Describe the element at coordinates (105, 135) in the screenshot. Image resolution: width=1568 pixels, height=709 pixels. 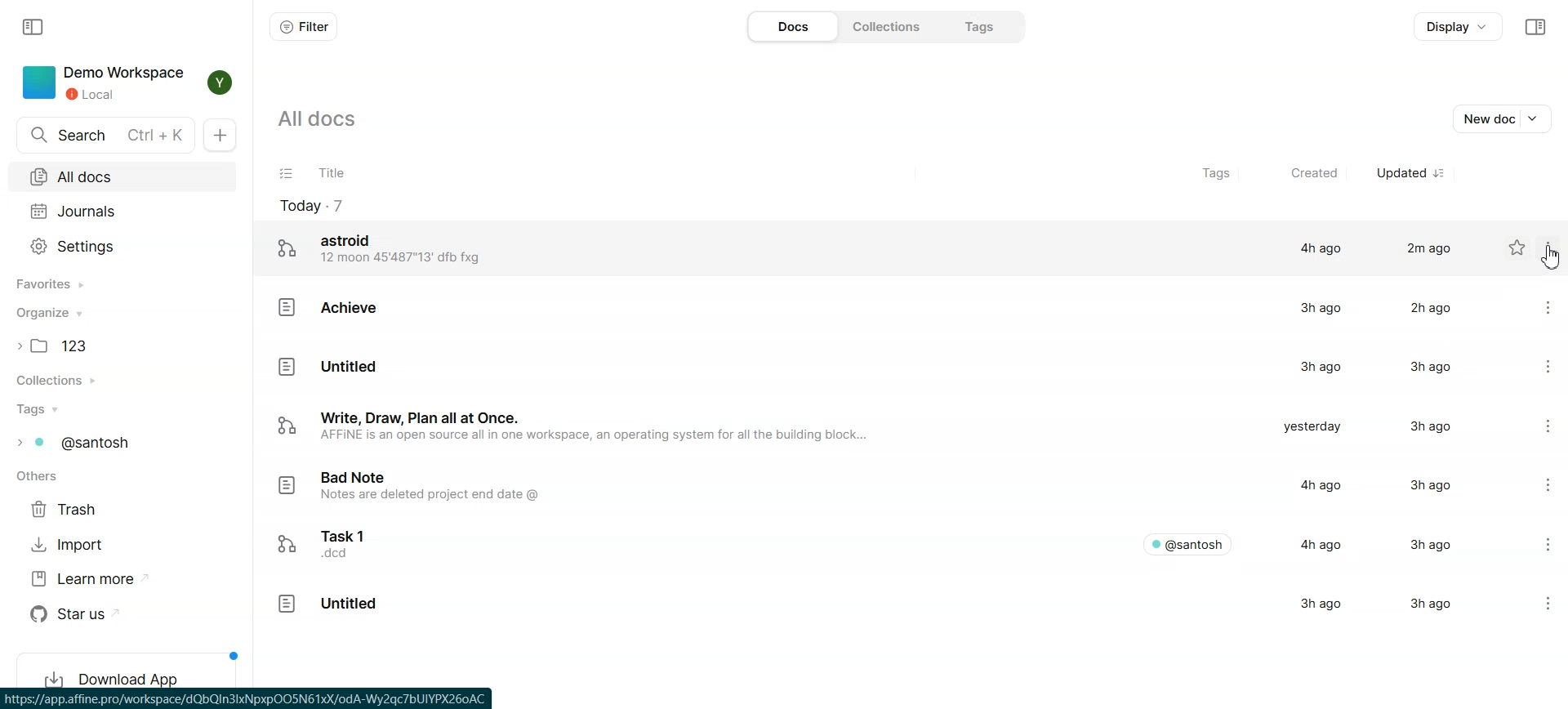
I see `Search Doc` at that location.